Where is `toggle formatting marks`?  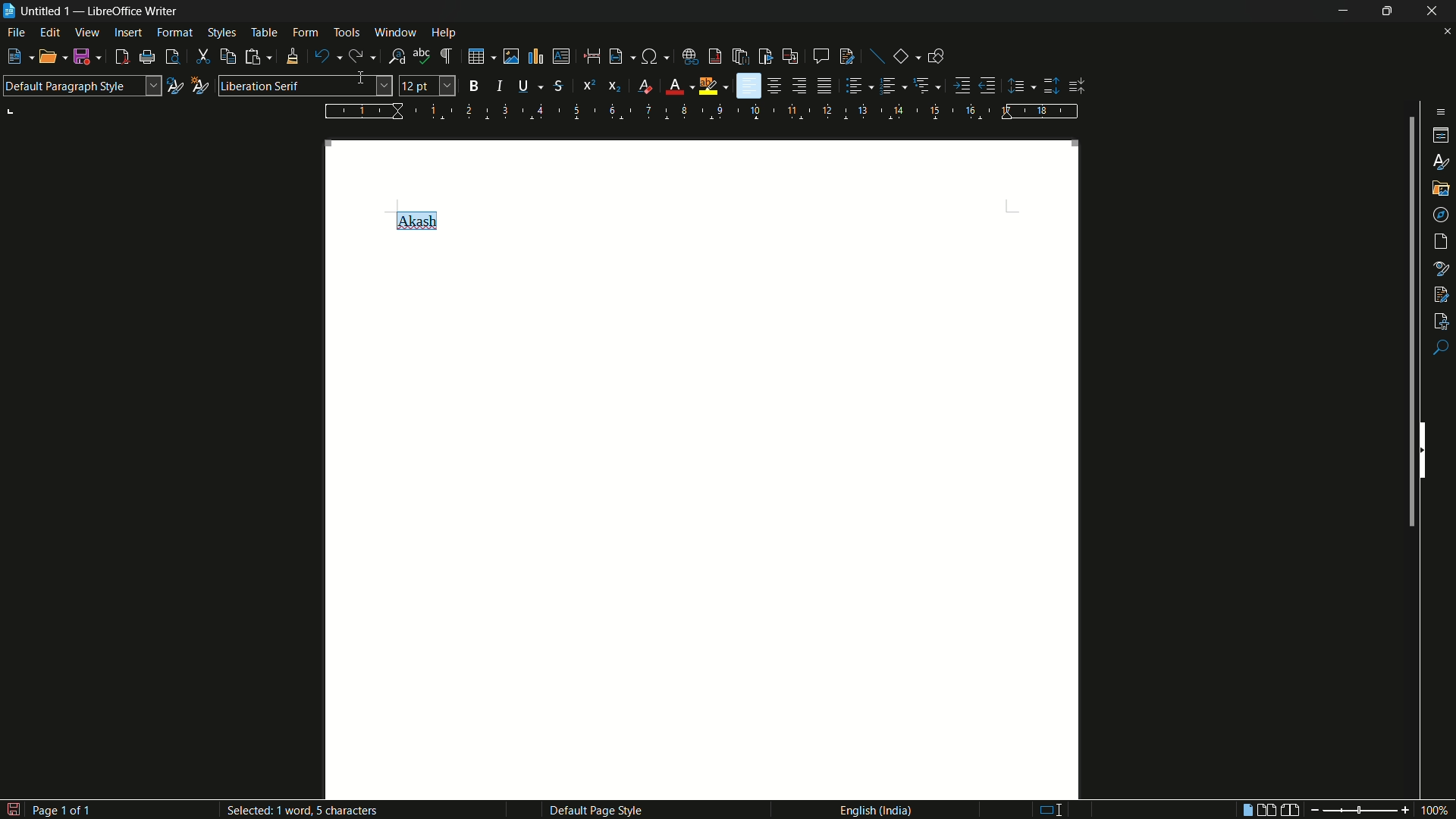
toggle formatting marks is located at coordinates (447, 57).